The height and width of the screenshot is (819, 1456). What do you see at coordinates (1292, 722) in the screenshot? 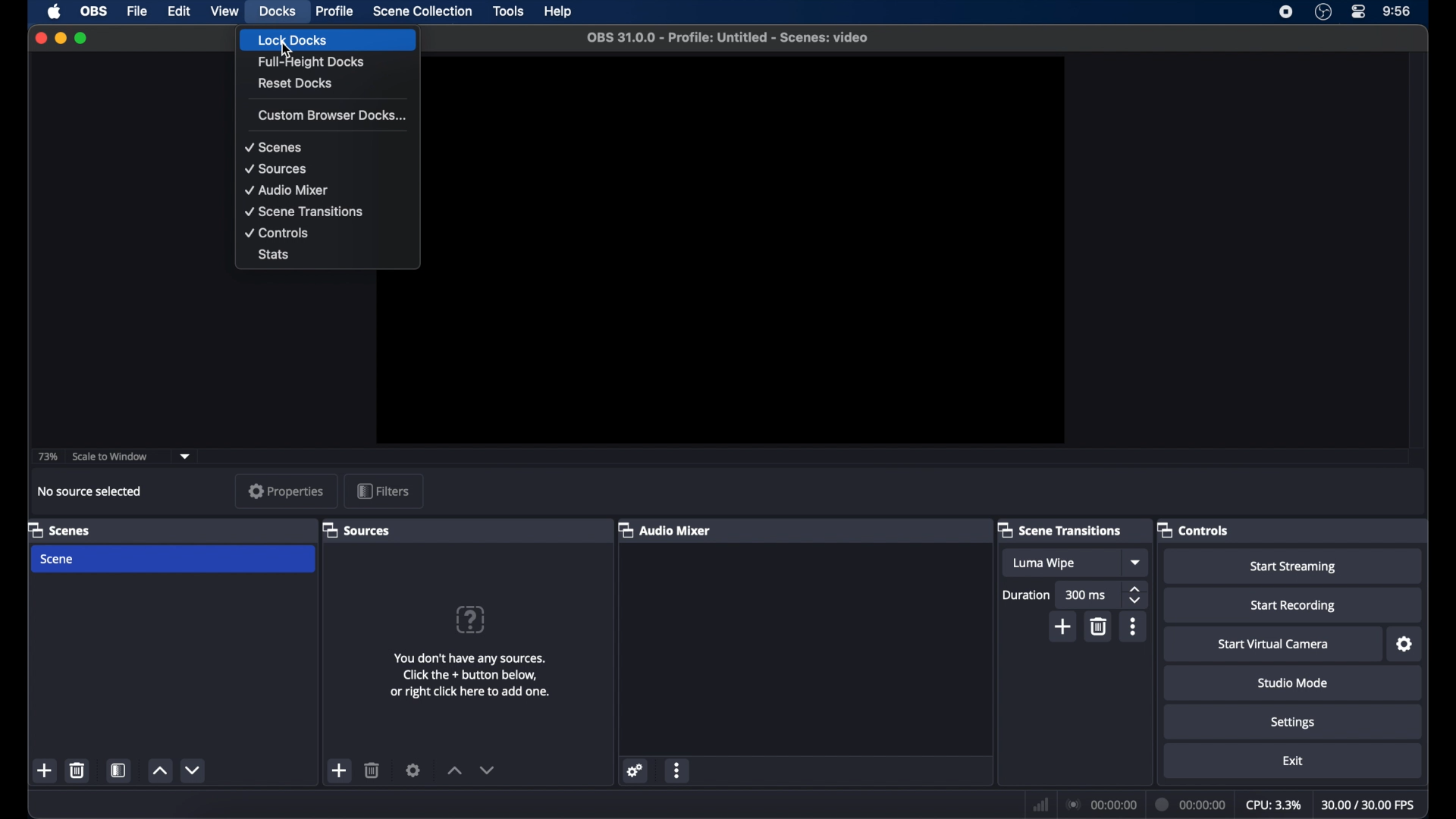
I see `settings` at bounding box center [1292, 722].